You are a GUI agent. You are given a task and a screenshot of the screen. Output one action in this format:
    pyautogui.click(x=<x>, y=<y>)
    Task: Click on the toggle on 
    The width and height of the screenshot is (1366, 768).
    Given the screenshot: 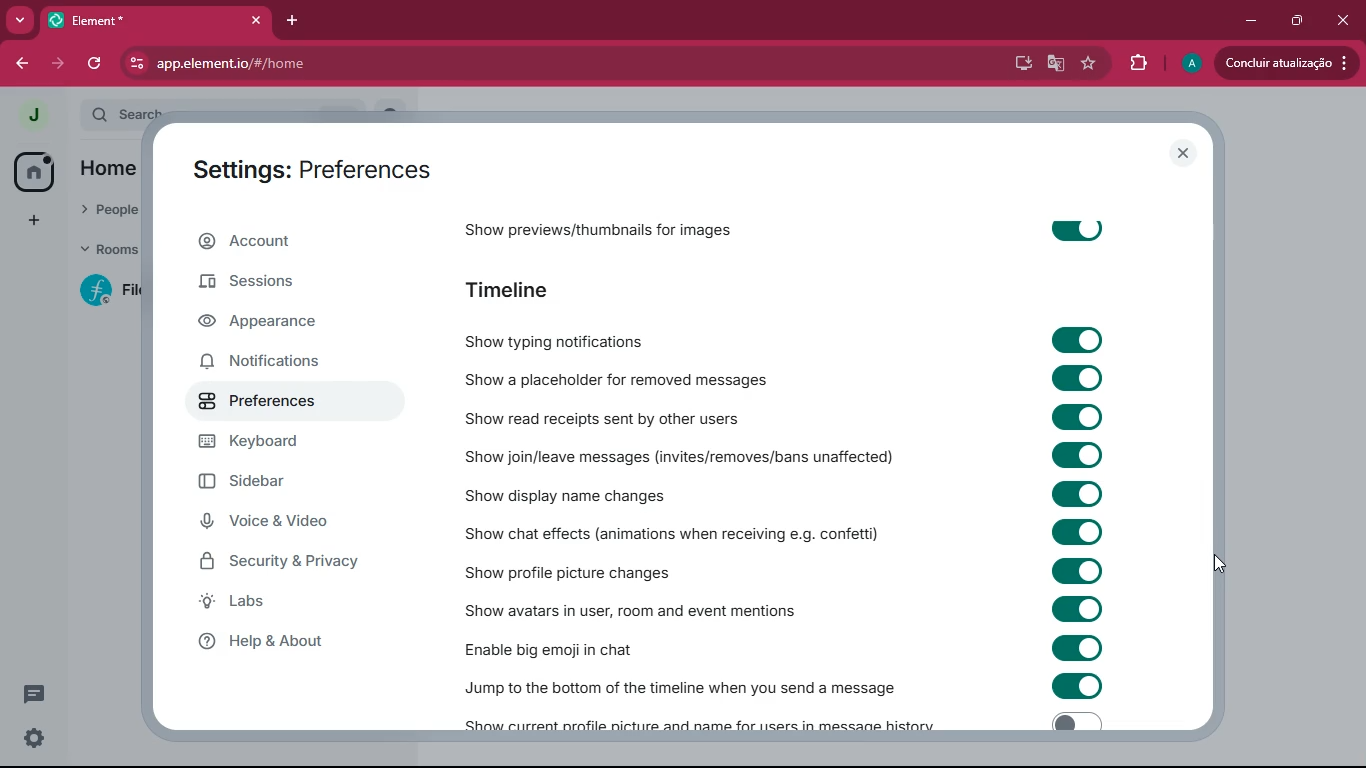 What is the action you would take?
    pyautogui.click(x=1076, y=607)
    